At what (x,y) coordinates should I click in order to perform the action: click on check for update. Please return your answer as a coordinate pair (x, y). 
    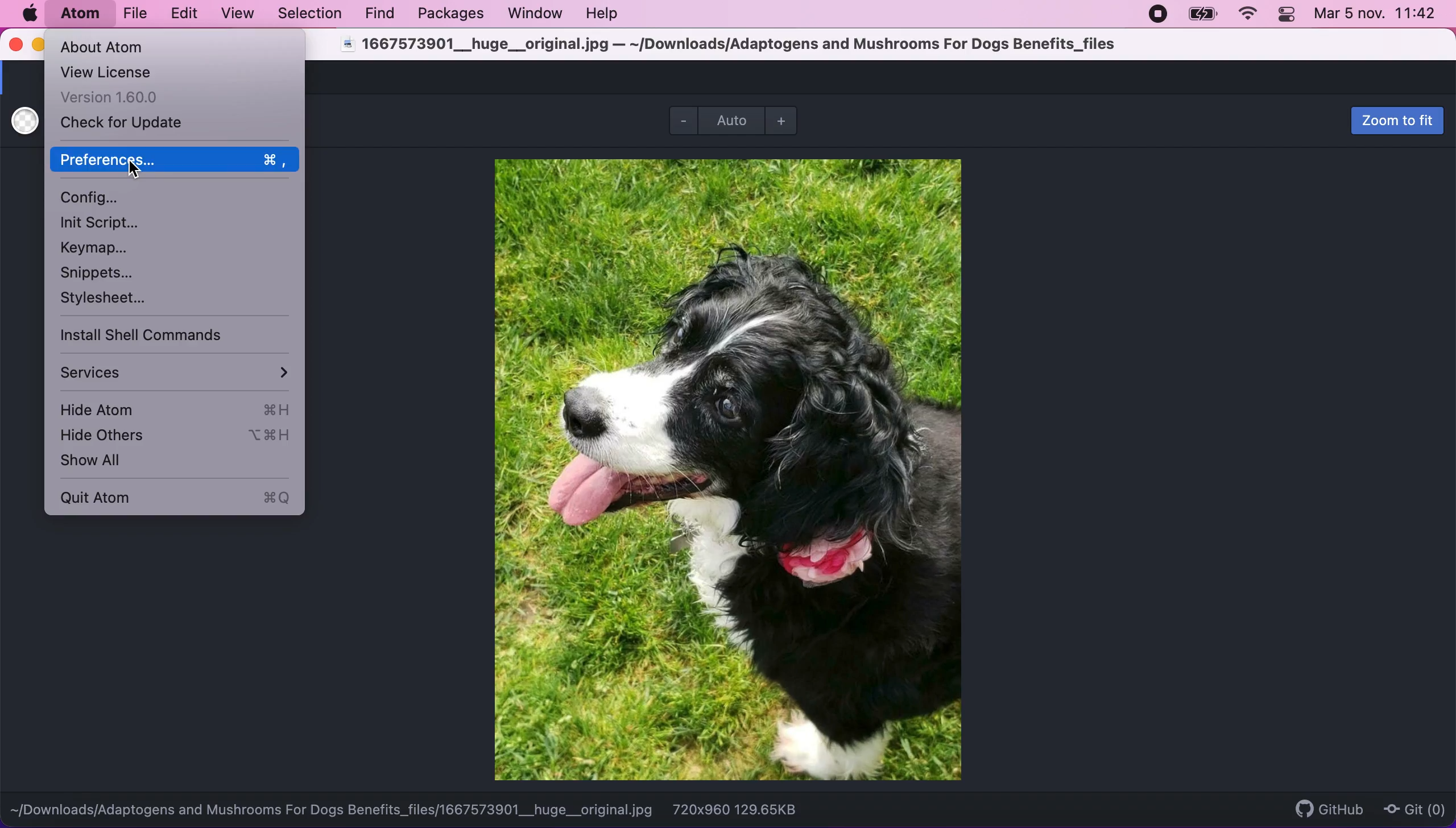
    Looking at the image, I should click on (133, 123).